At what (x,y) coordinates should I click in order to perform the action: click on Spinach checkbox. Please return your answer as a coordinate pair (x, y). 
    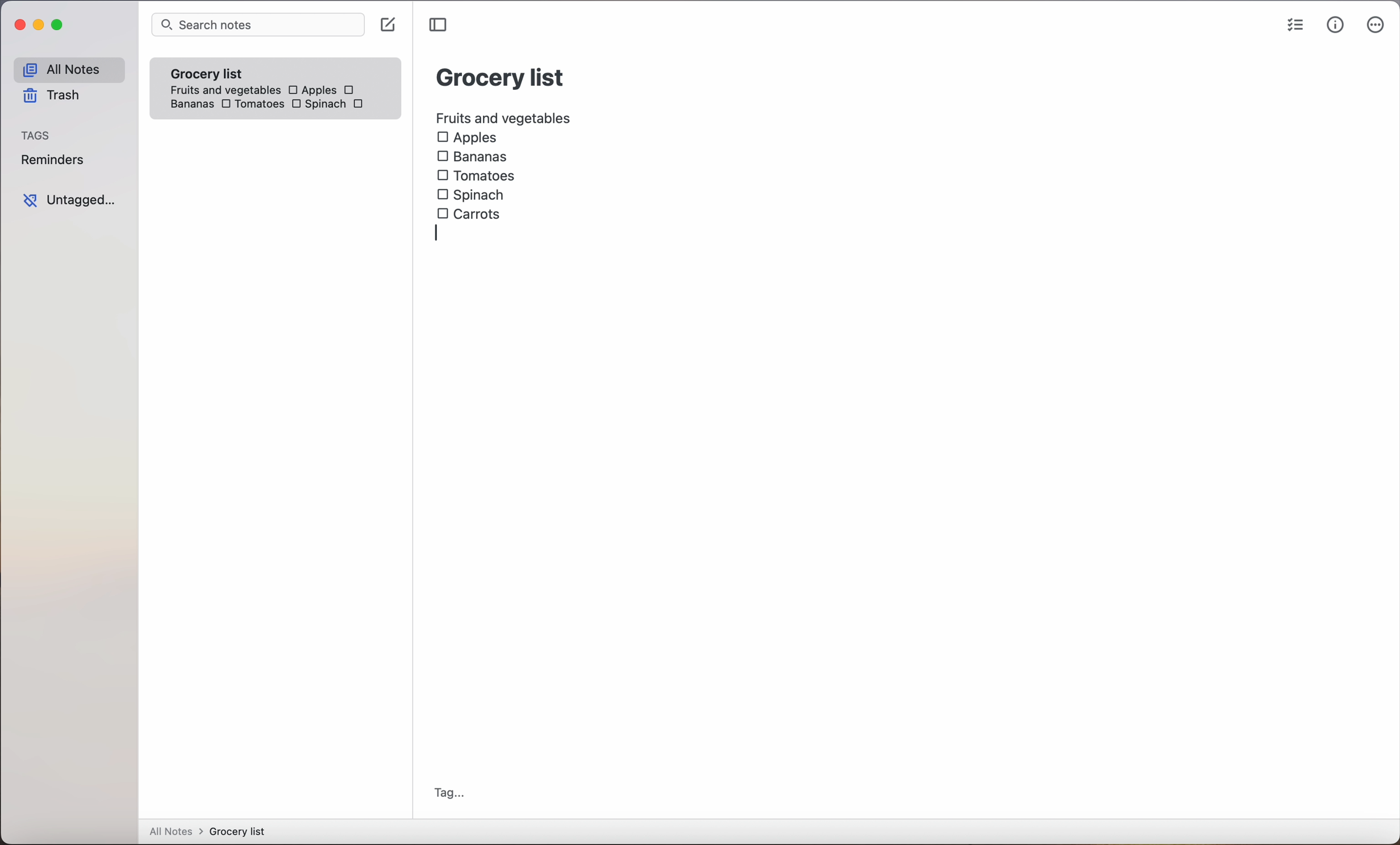
    Looking at the image, I should click on (318, 106).